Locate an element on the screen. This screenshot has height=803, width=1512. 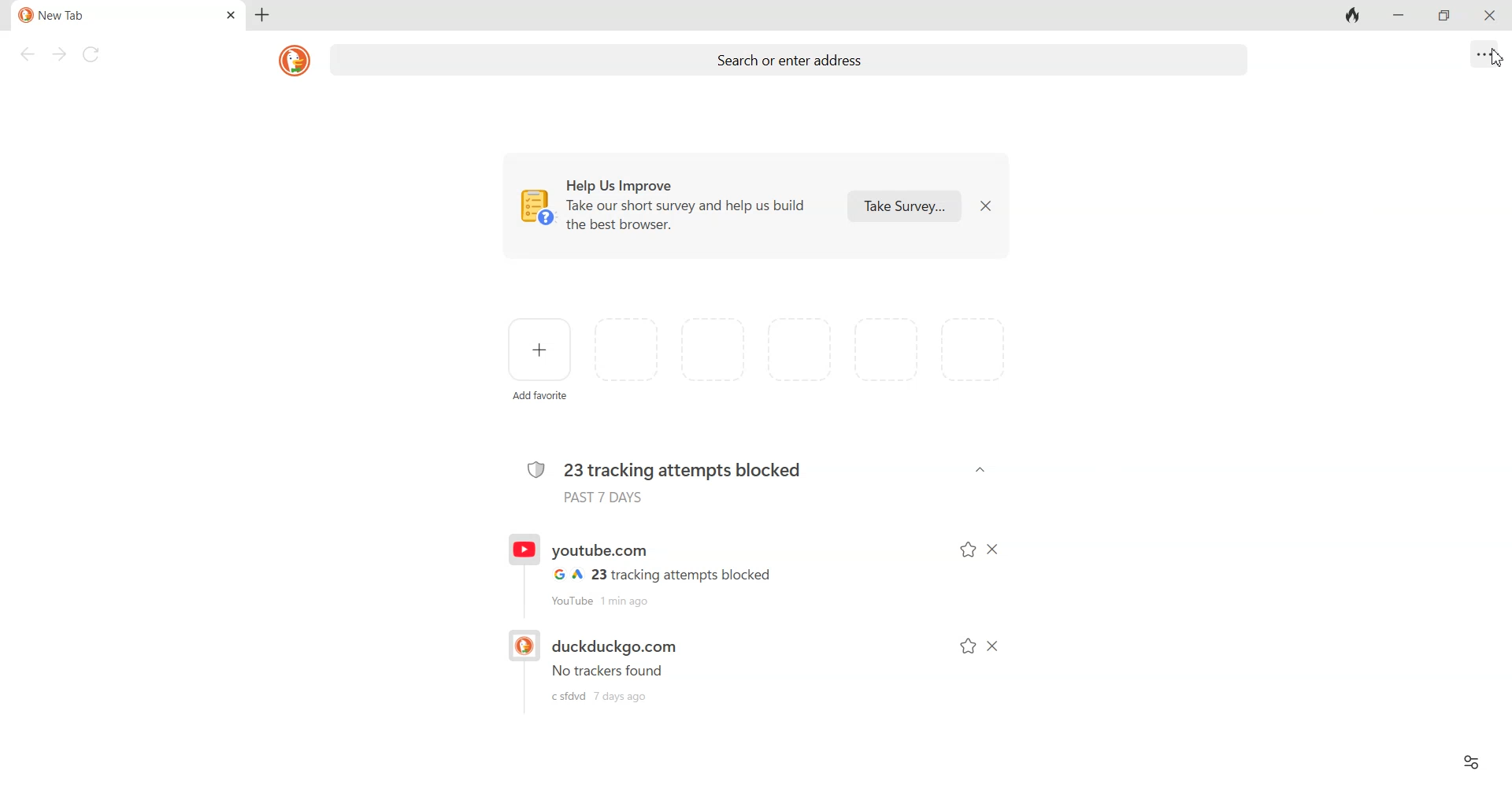
Recent history is located at coordinates (660, 665).